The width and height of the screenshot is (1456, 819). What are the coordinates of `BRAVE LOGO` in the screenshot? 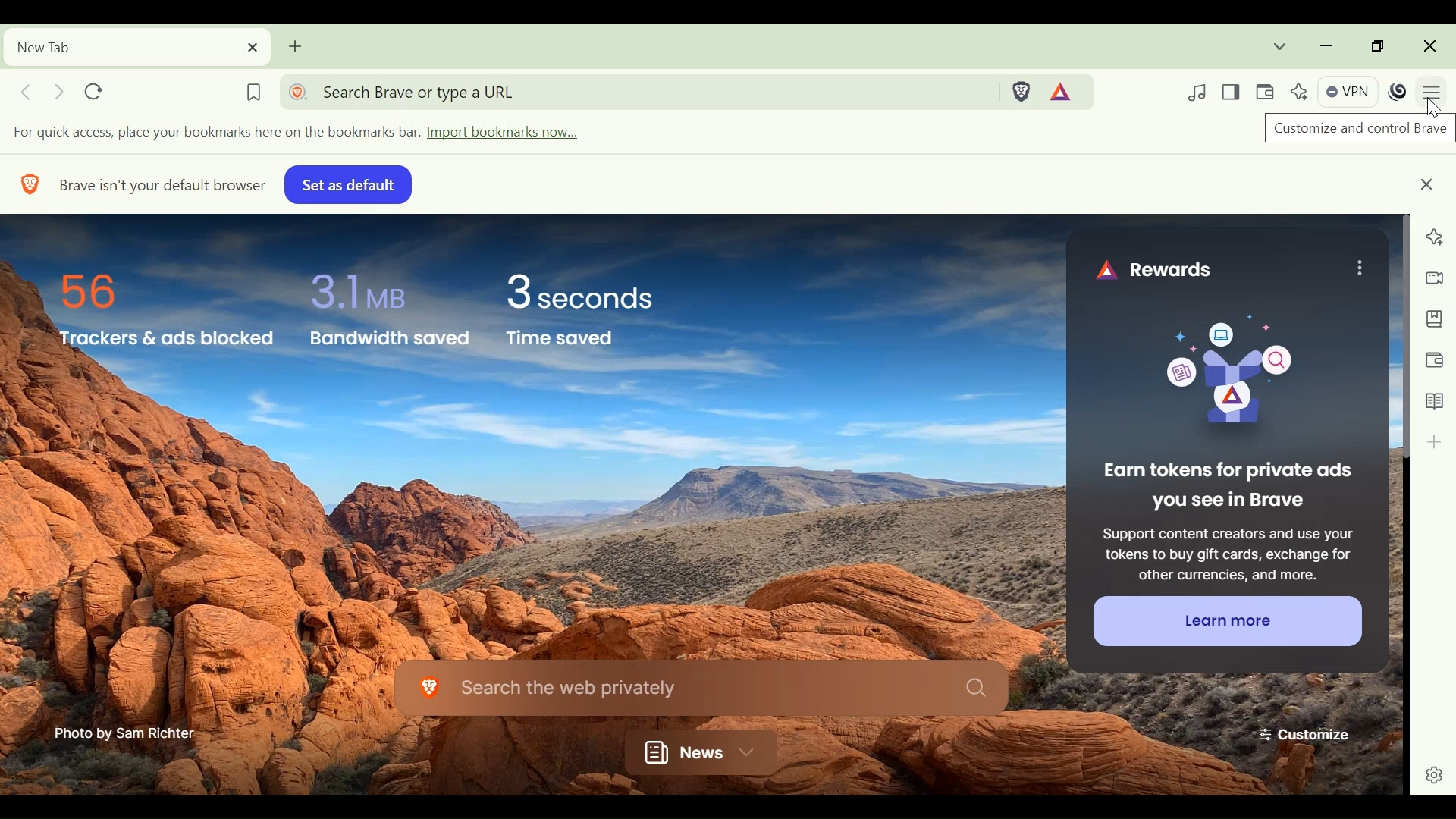 It's located at (27, 183).